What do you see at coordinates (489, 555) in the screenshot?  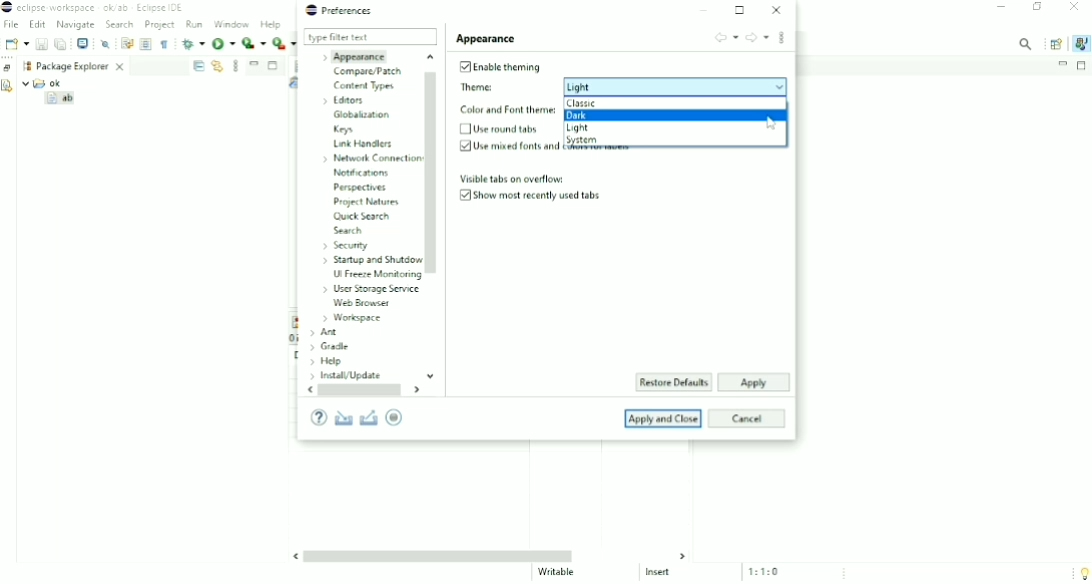 I see `Horizontal scrollbar` at bounding box center [489, 555].